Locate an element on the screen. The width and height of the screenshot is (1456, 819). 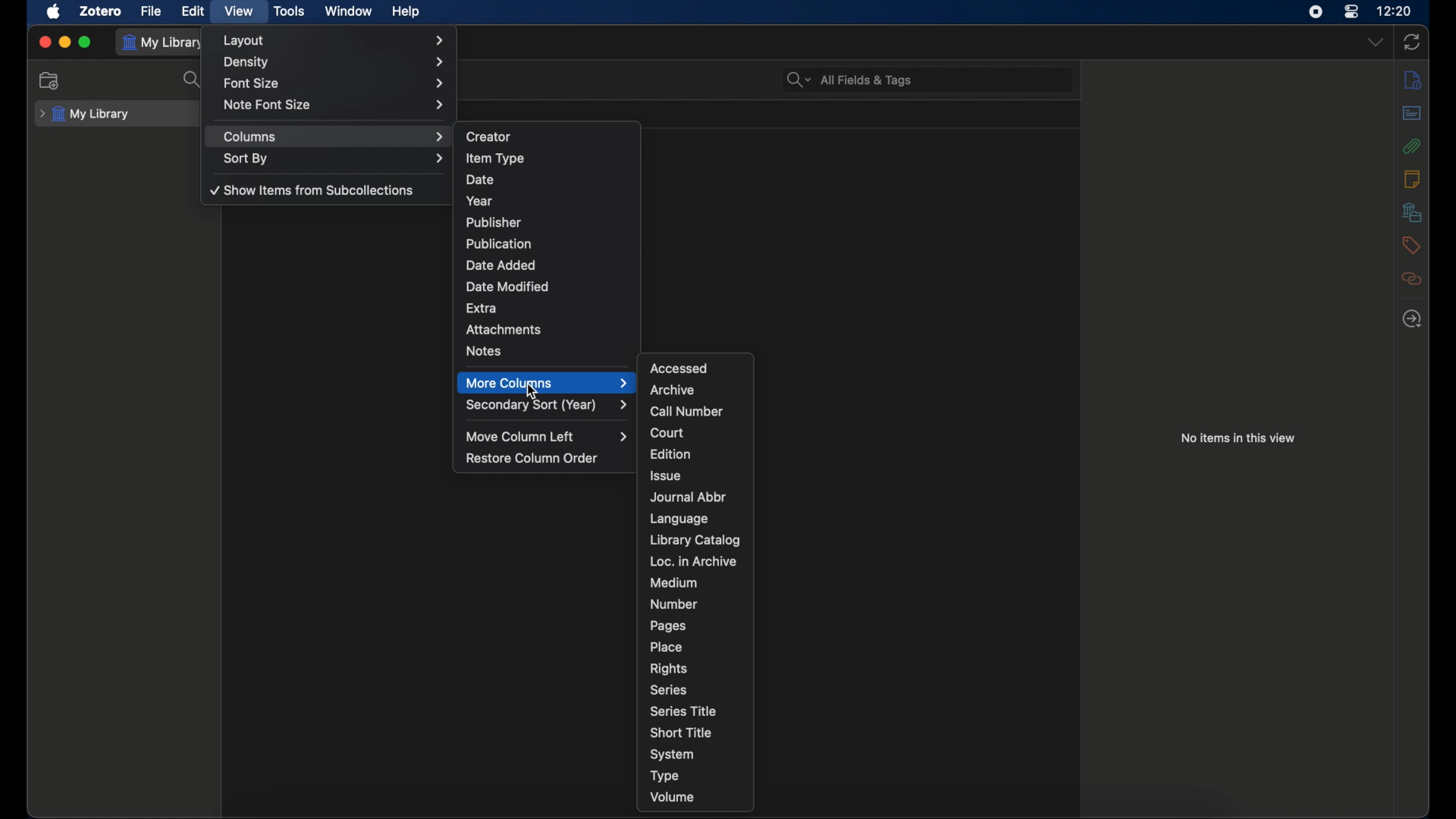
edition is located at coordinates (670, 453).